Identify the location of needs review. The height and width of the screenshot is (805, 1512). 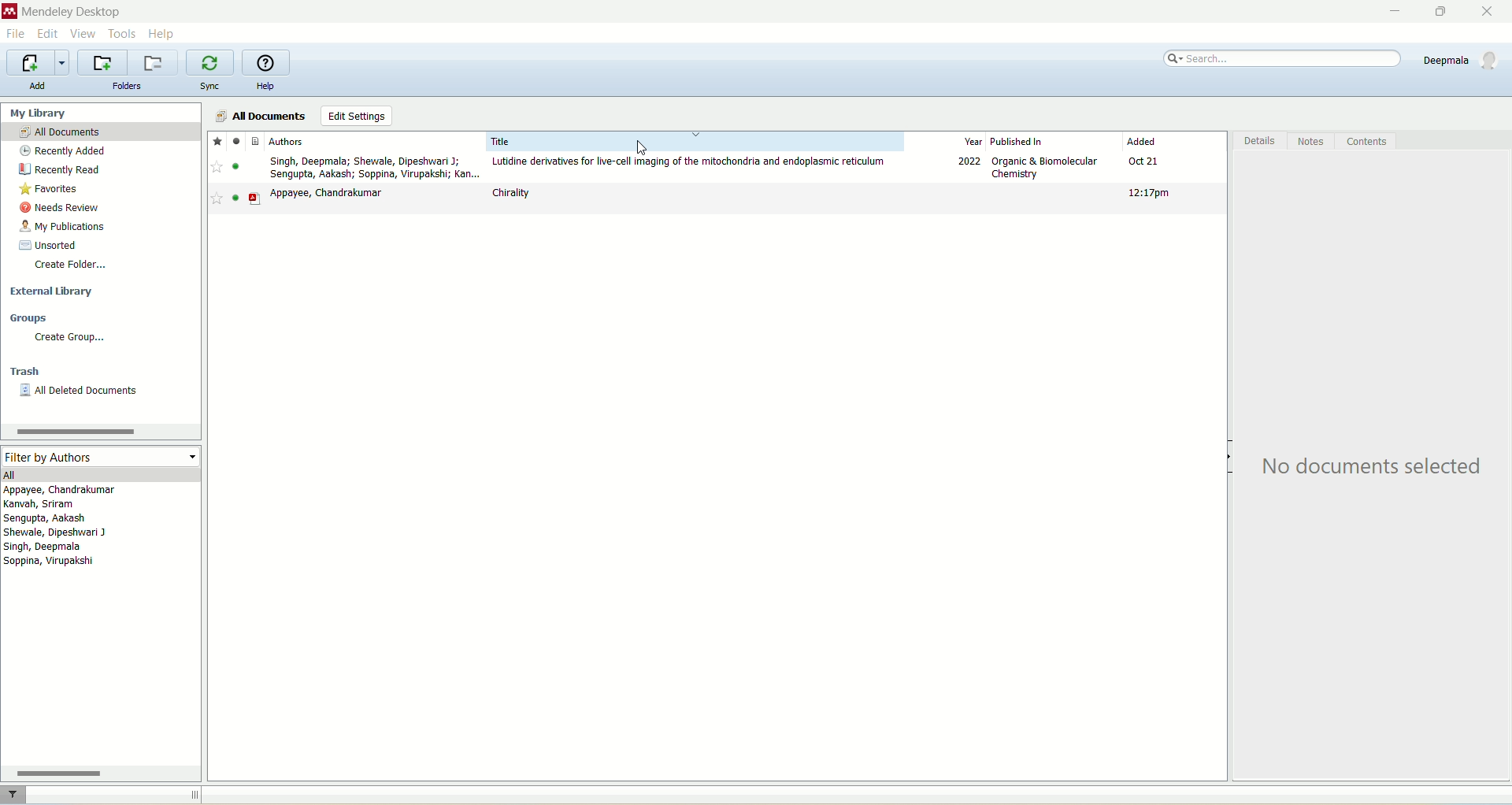
(68, 209).